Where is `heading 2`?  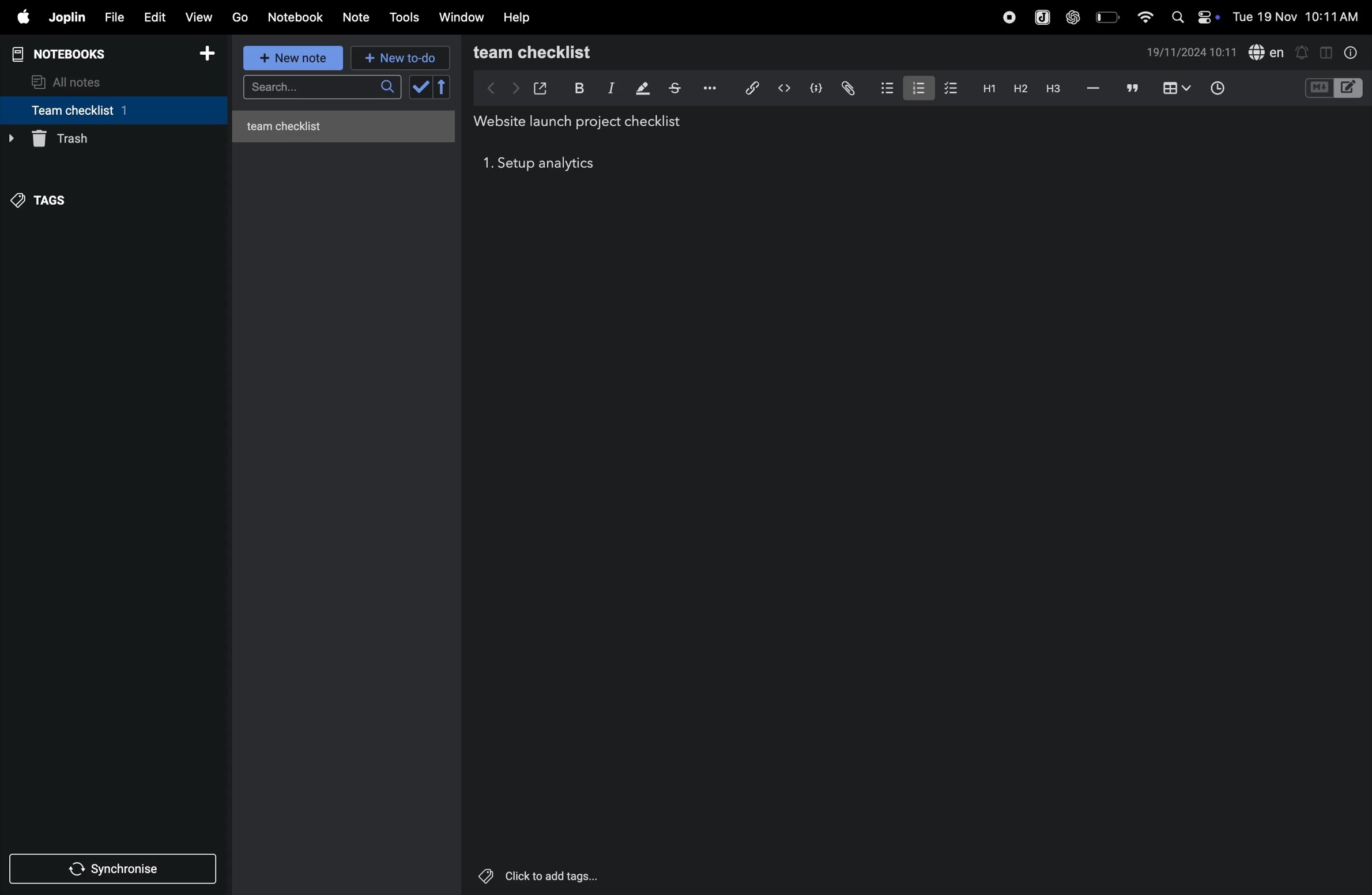 heading 2 is located at coordinates (1017, 88).